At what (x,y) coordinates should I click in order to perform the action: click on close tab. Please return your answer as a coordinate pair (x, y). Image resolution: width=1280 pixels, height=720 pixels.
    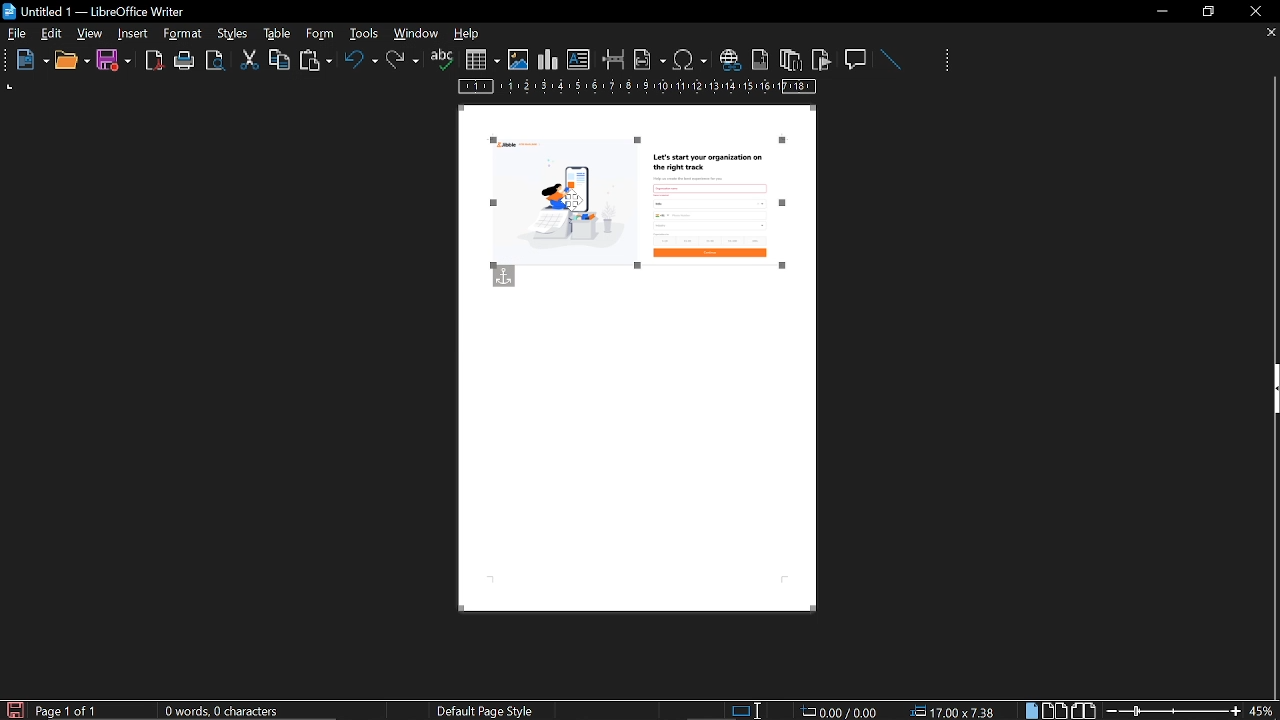
    Looking at the image, I should click on (1271, 34).